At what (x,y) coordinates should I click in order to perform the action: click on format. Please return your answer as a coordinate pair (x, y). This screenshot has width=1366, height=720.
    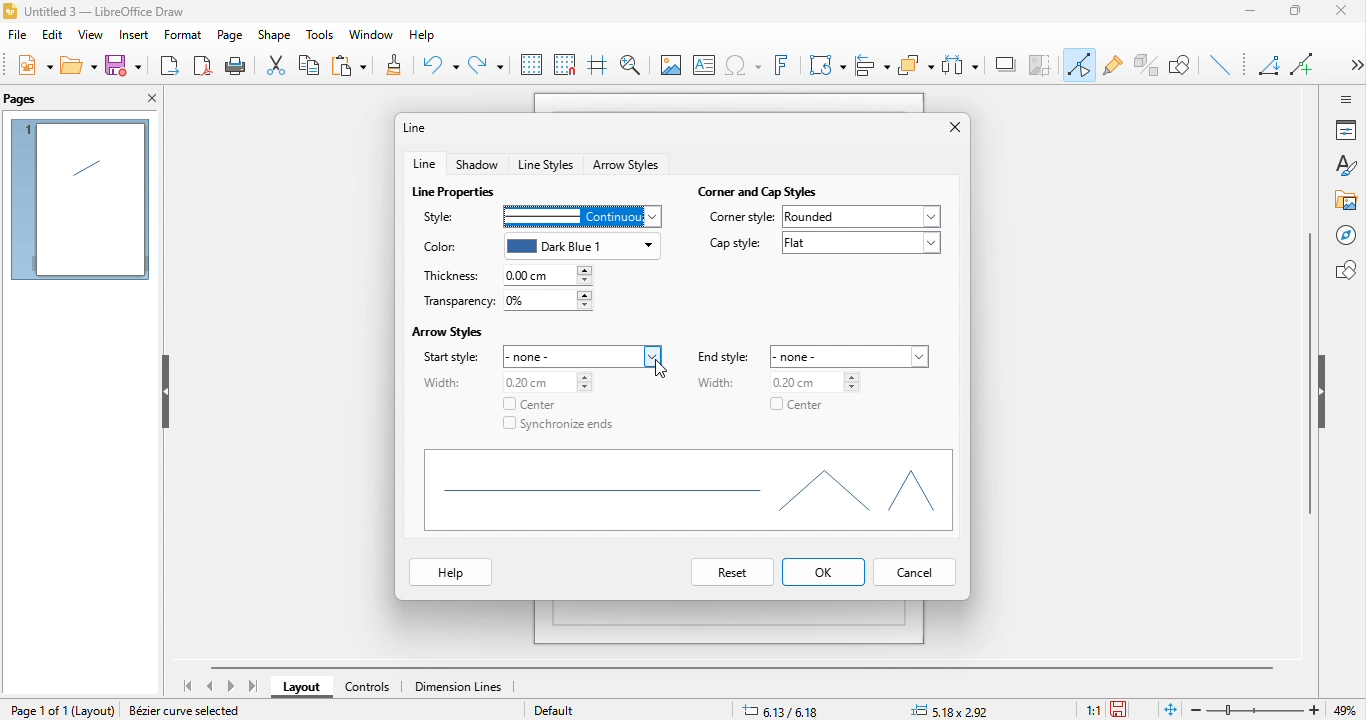
    Looking at the image, I should click on (181, 35).